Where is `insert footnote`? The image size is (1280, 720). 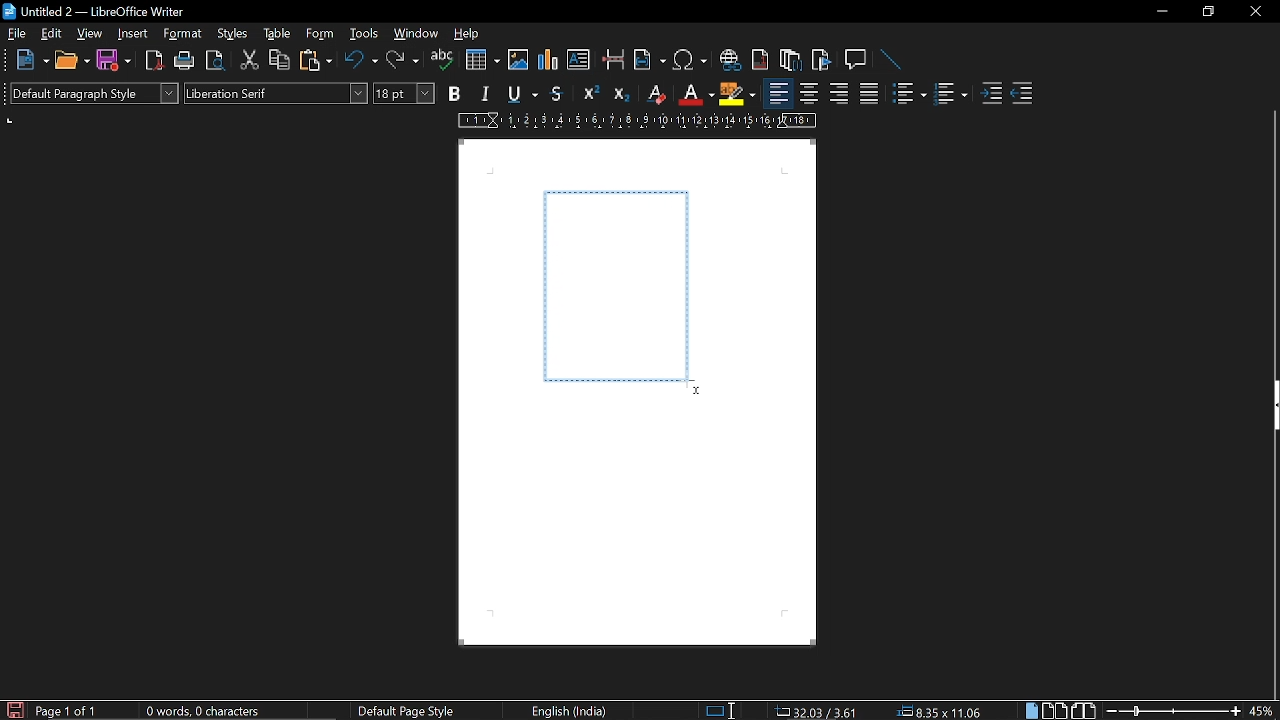 insert footnote is located at coordinates (761, 61).